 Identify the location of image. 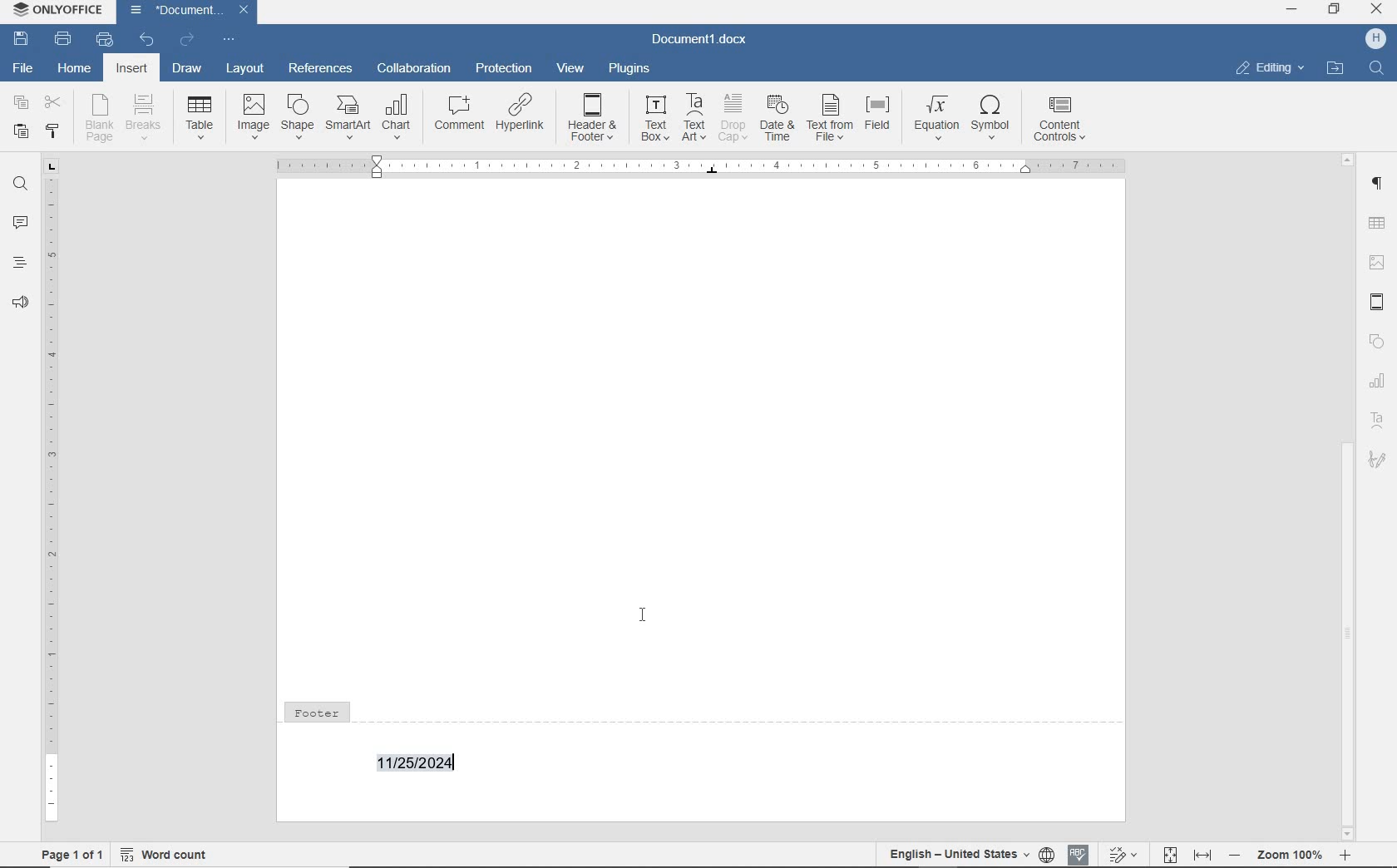
(254, 116).